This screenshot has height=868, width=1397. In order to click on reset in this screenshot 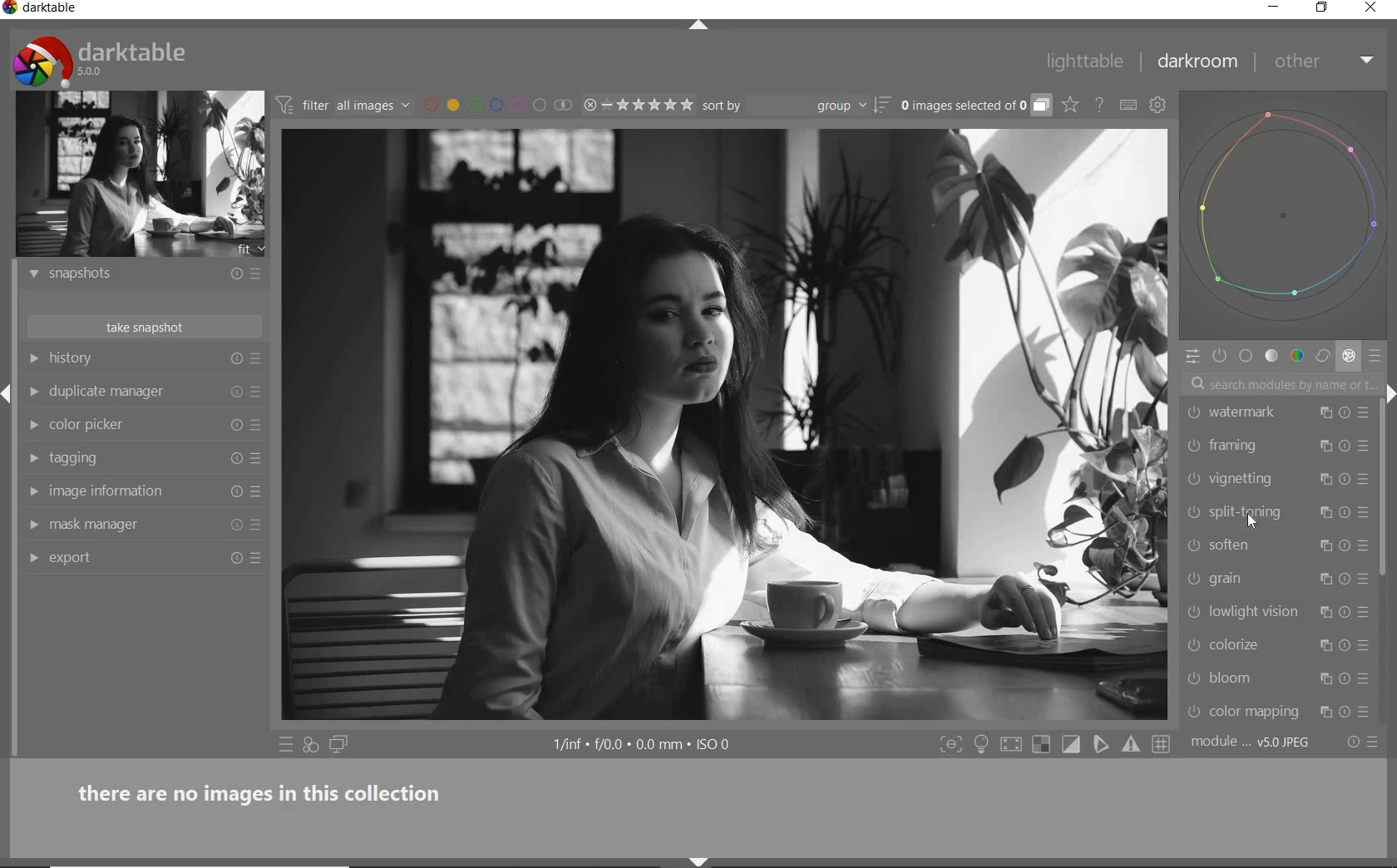, I will do `click(1346, 481)`.